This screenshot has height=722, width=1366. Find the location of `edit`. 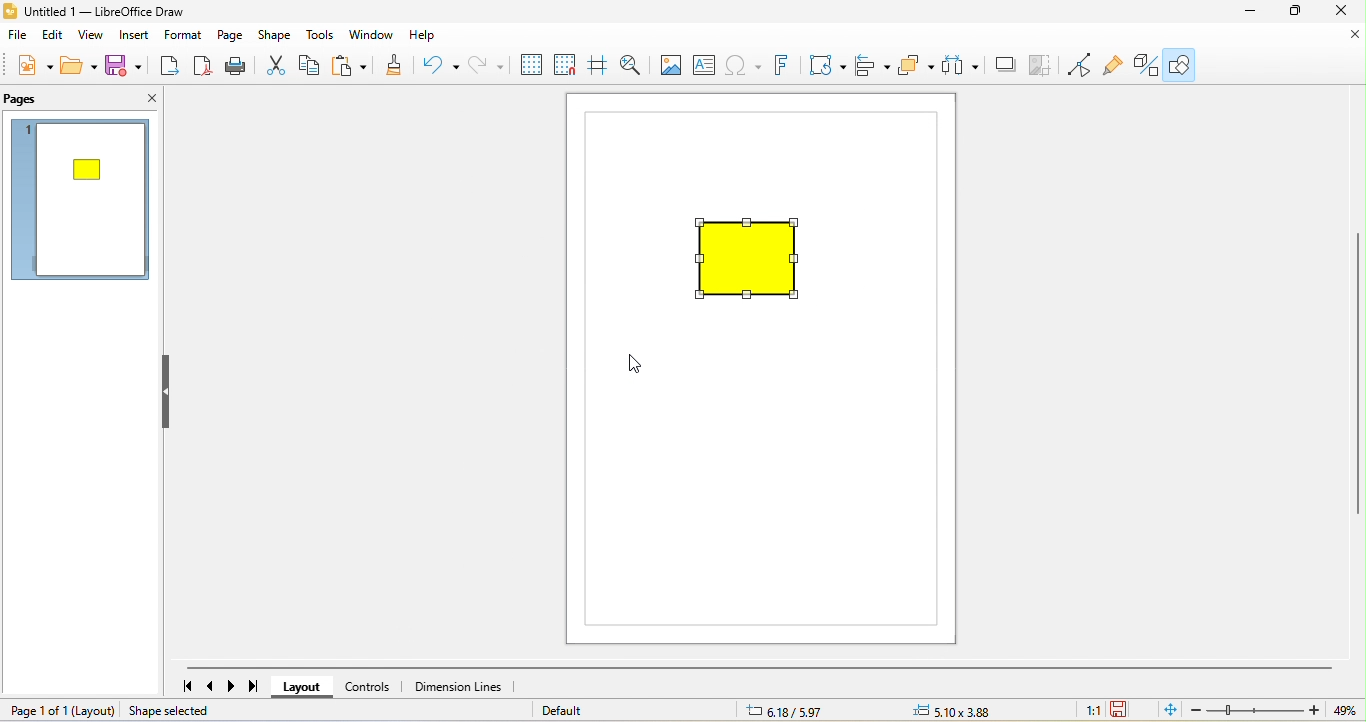

edit is located at coordinates (54, 36).